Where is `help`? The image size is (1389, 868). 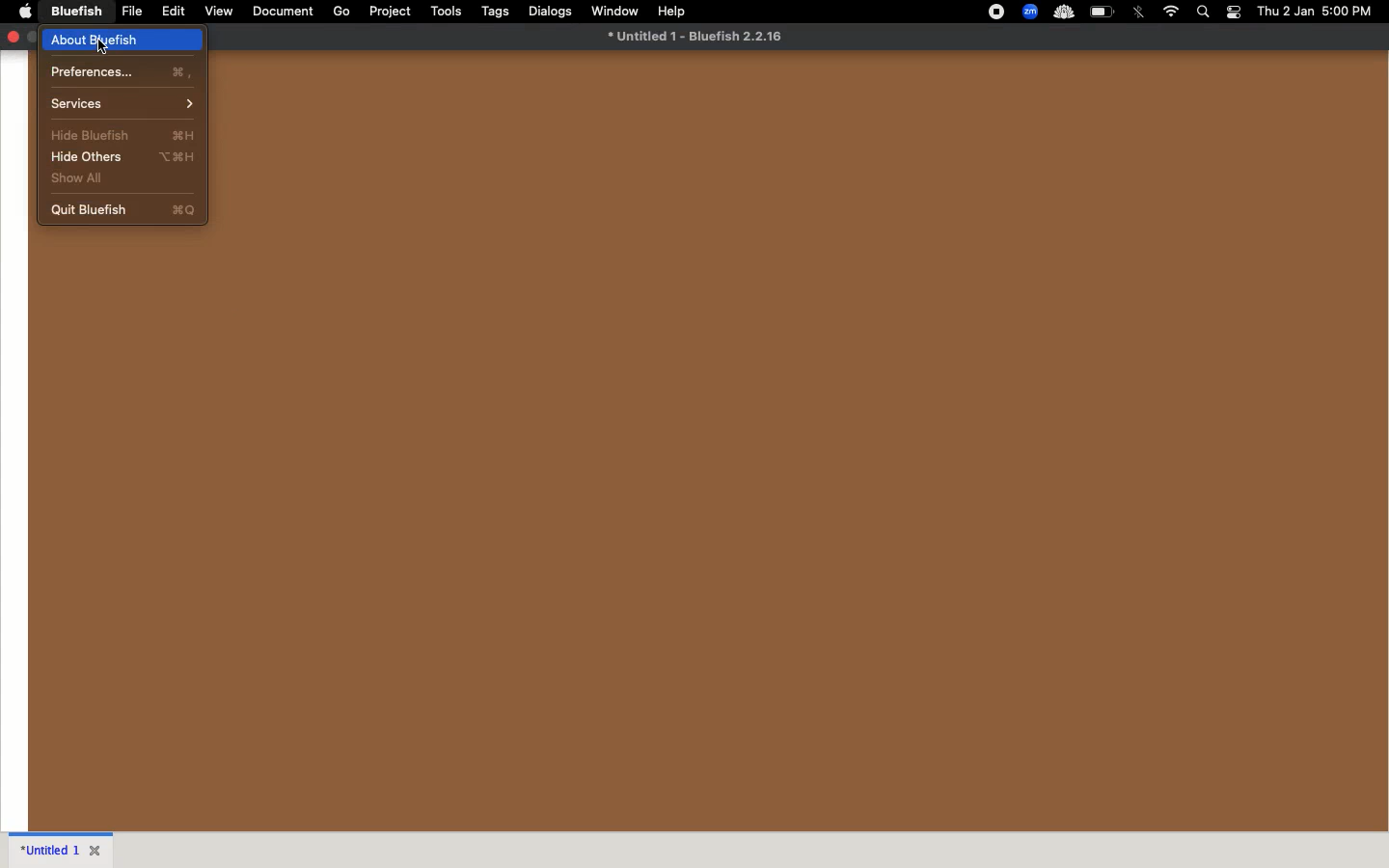
help is located at coordinates (674, 12).